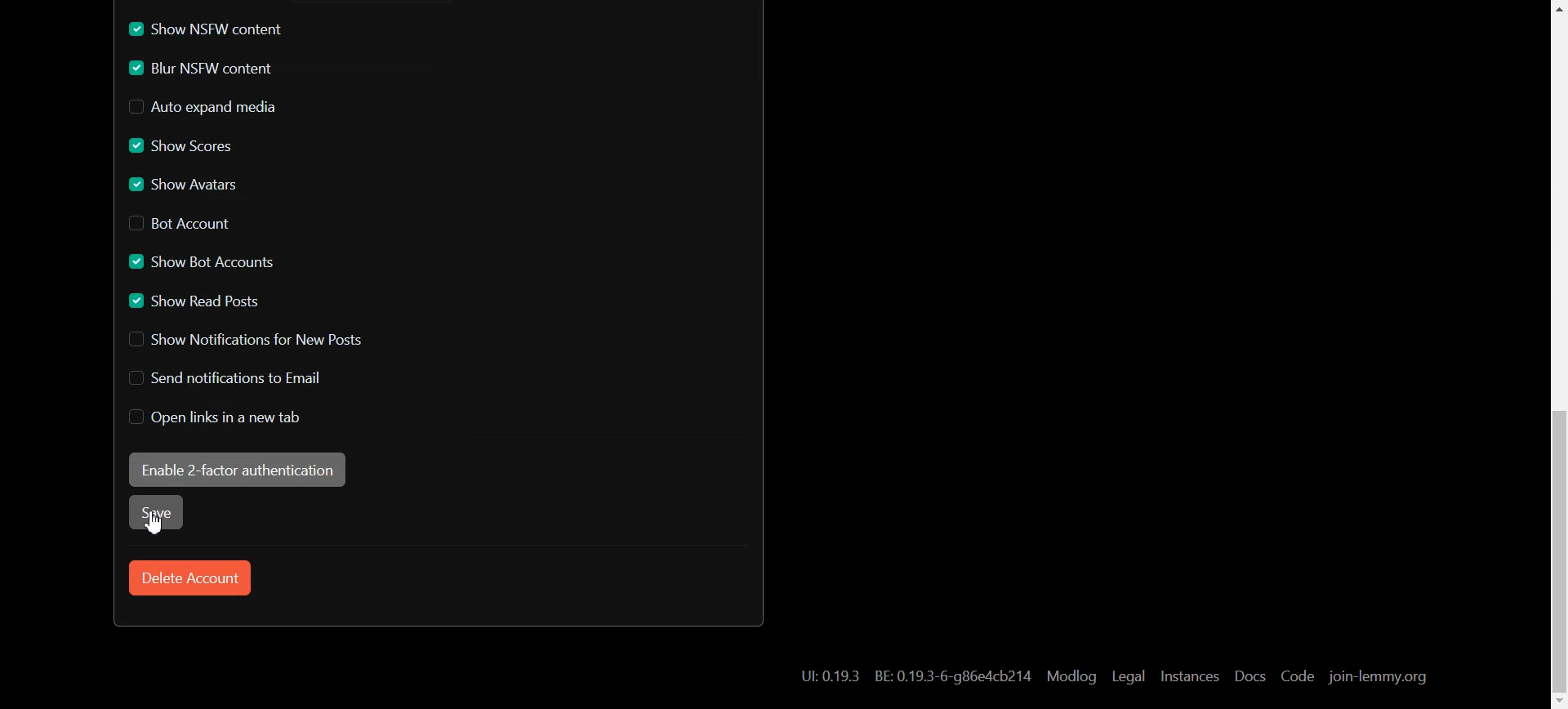 This screenshot has width=1568, height=709. Describe the element at coordinates (205, 68) in the screenshot. I see `Enable Blur NSFW content` at that location.